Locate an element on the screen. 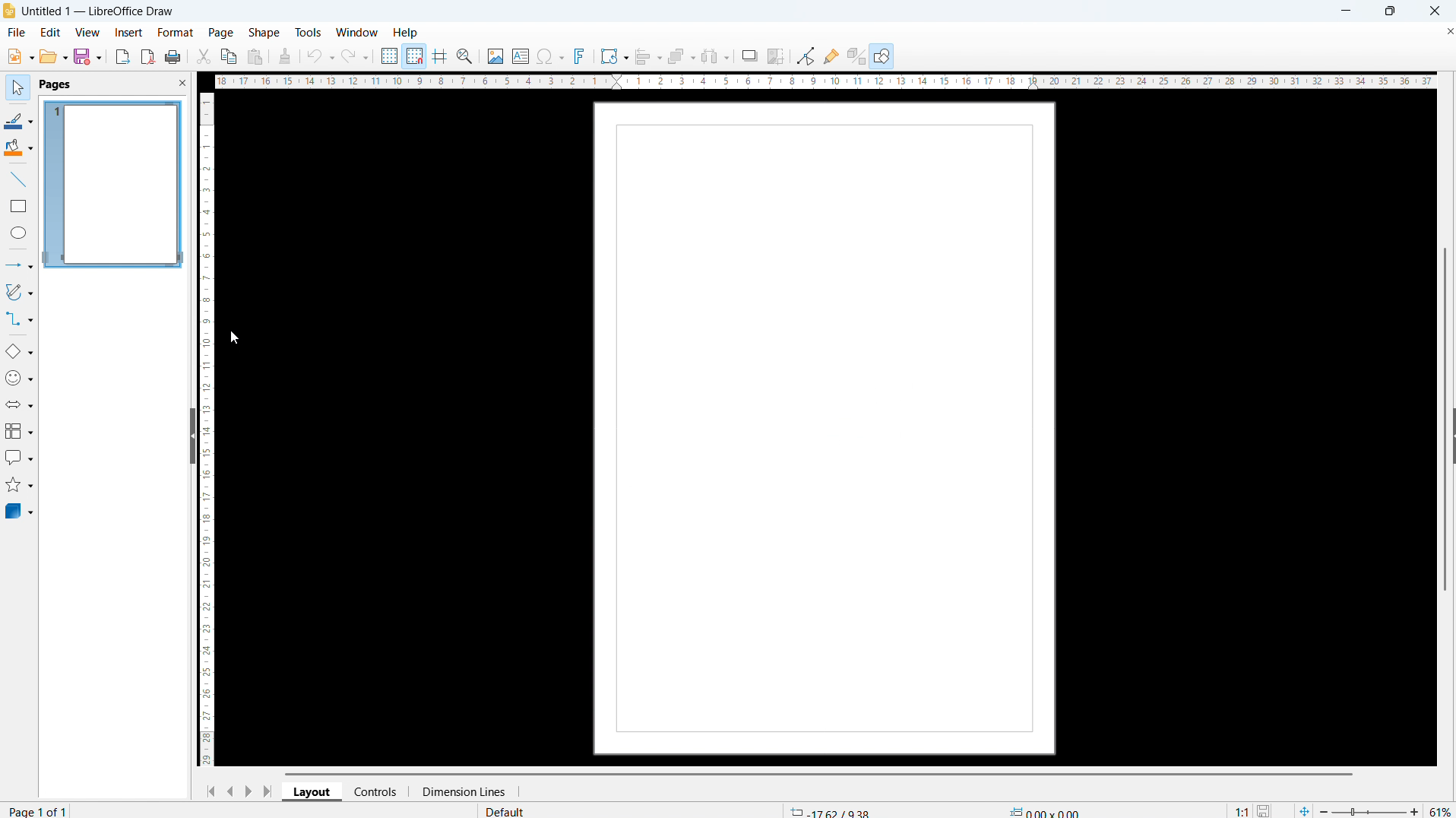  basic shapes is located at coordinates (19, 352).